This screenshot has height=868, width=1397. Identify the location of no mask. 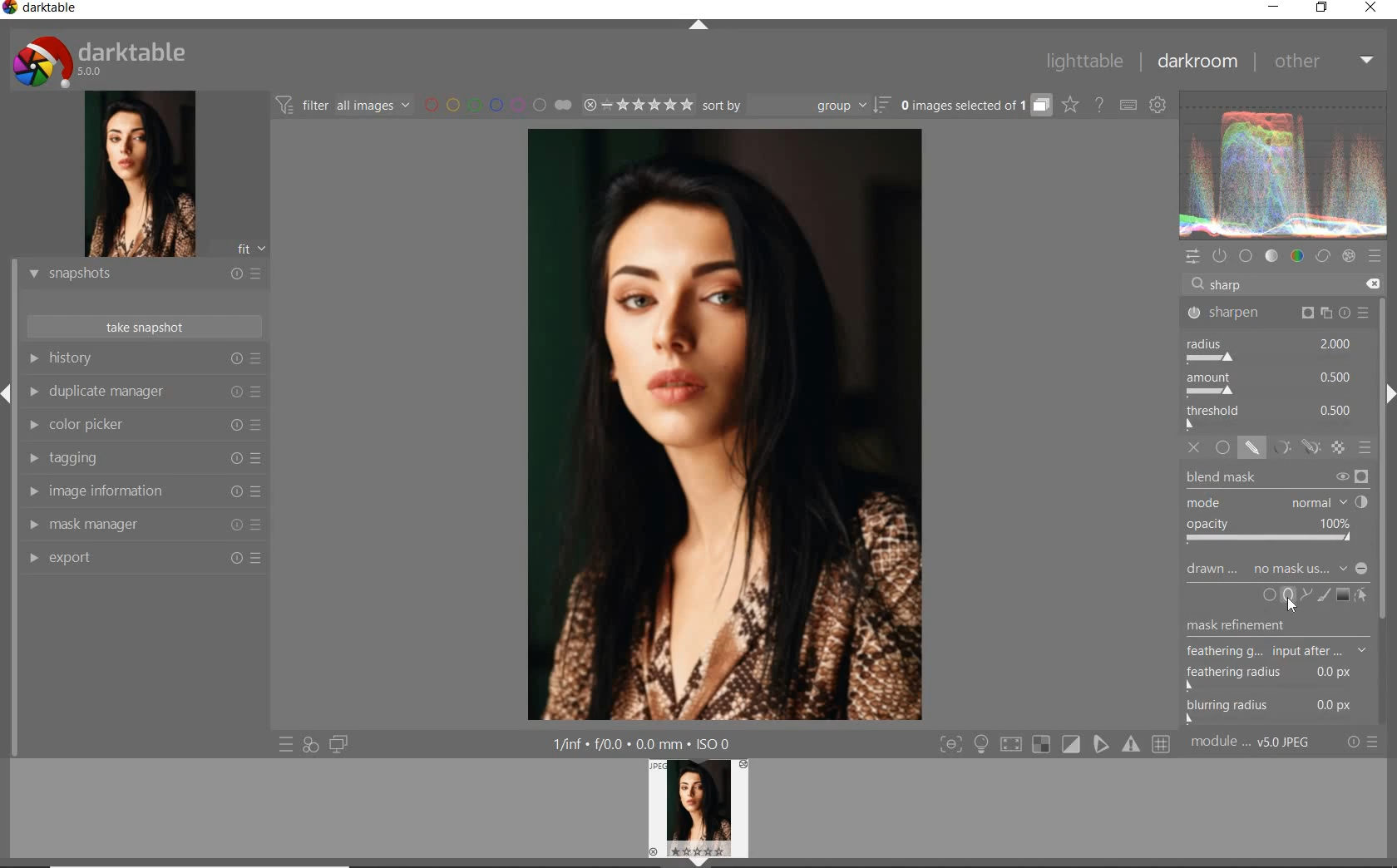
(1291, 568).